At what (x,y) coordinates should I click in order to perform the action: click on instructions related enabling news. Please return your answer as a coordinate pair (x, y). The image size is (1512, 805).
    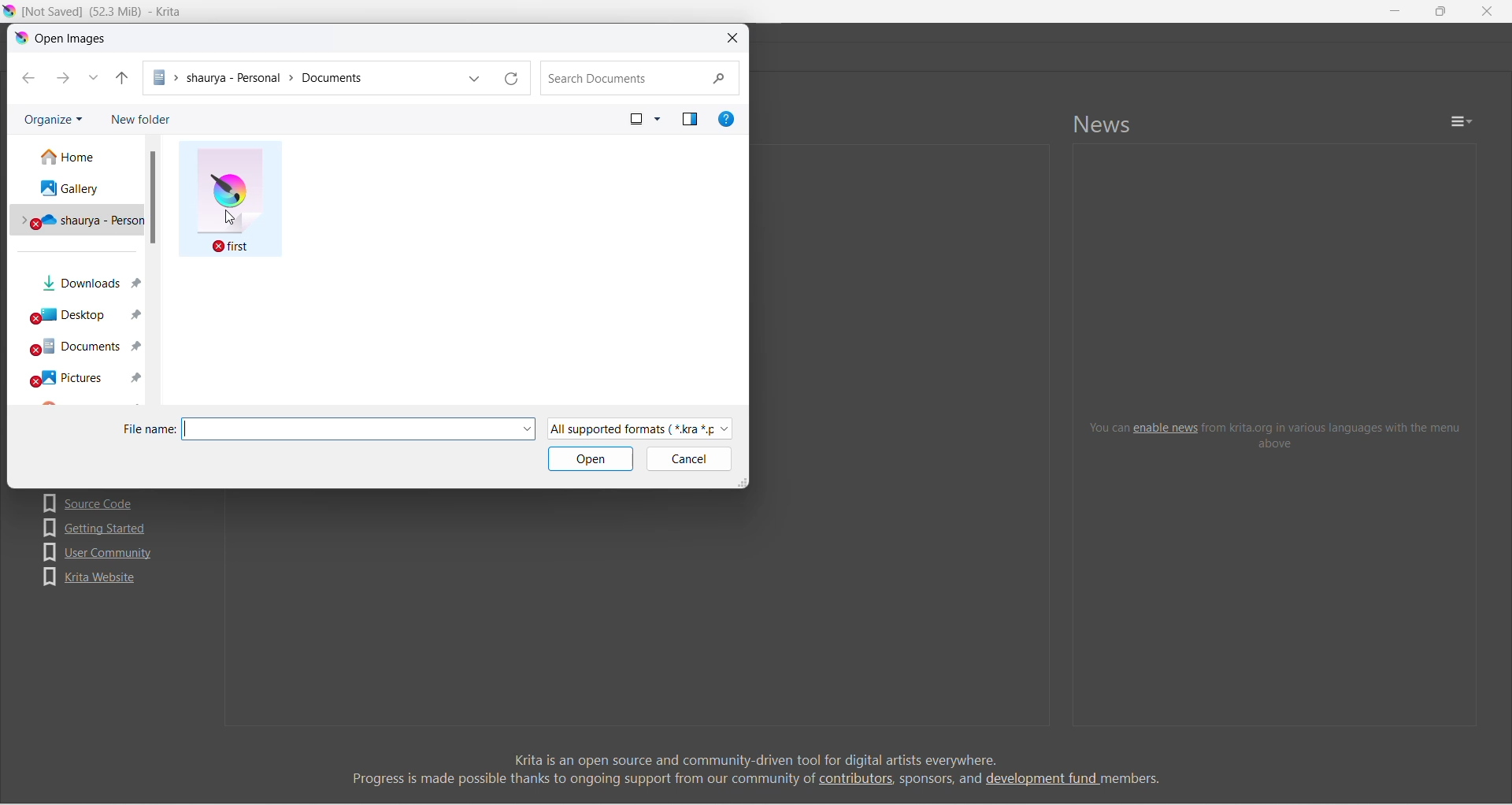
    Looking at the image, I should click on (1277, 434).